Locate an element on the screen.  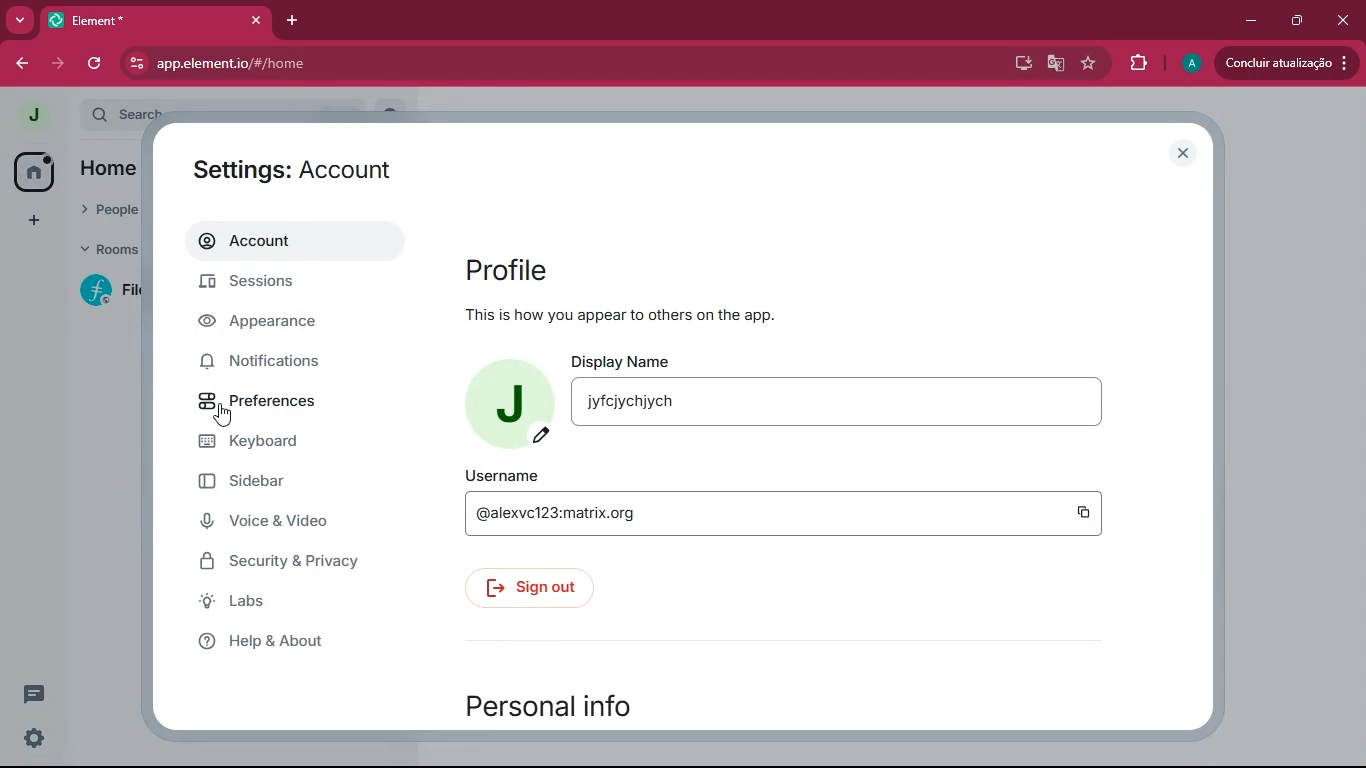
close tab is located at coordinates (256, 20).